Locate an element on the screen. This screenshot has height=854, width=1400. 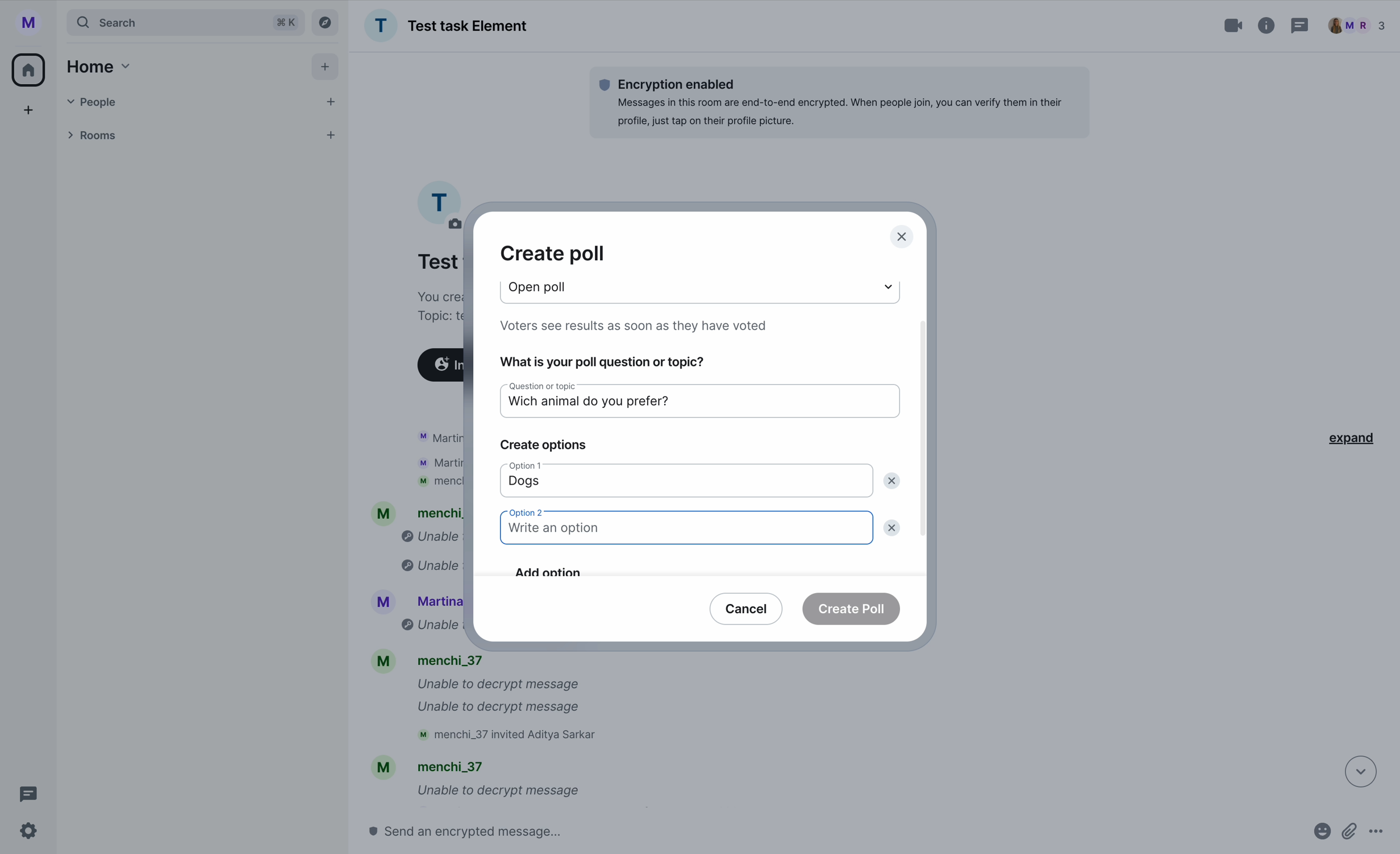
option 1 is located at coordinates (522, 467).